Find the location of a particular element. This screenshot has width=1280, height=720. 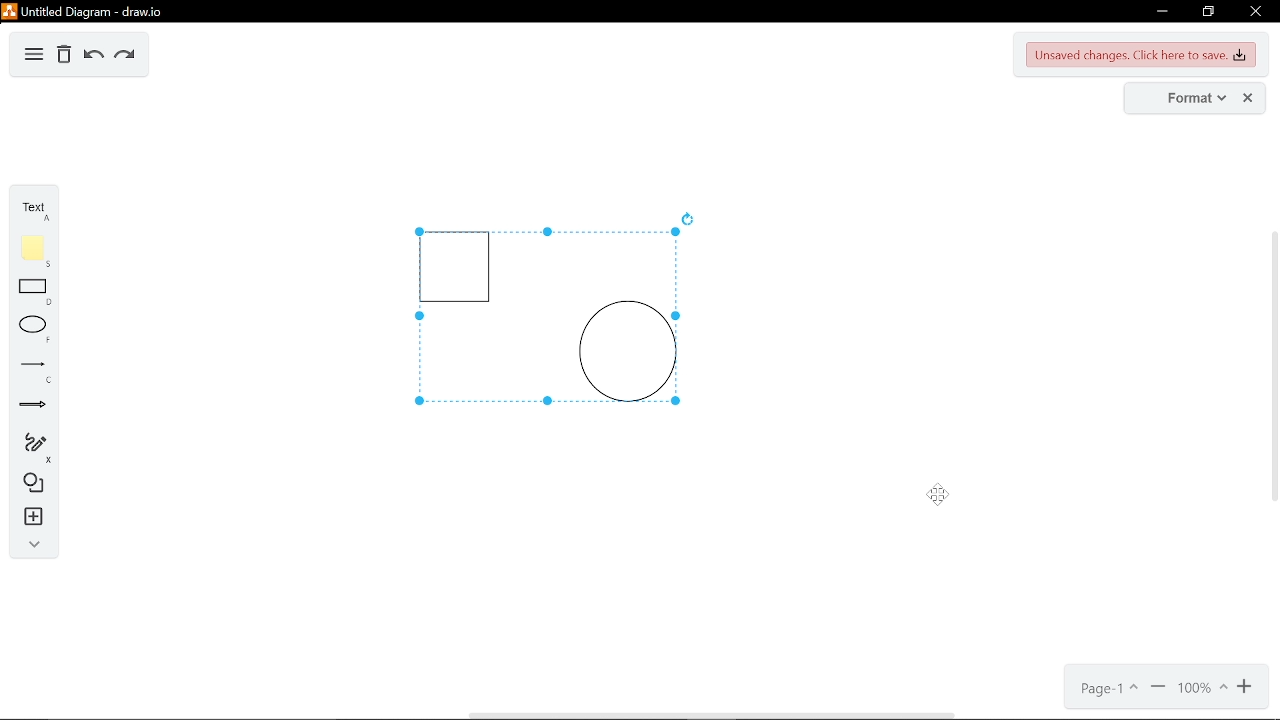

diagram is located at coordinates (34, 55).